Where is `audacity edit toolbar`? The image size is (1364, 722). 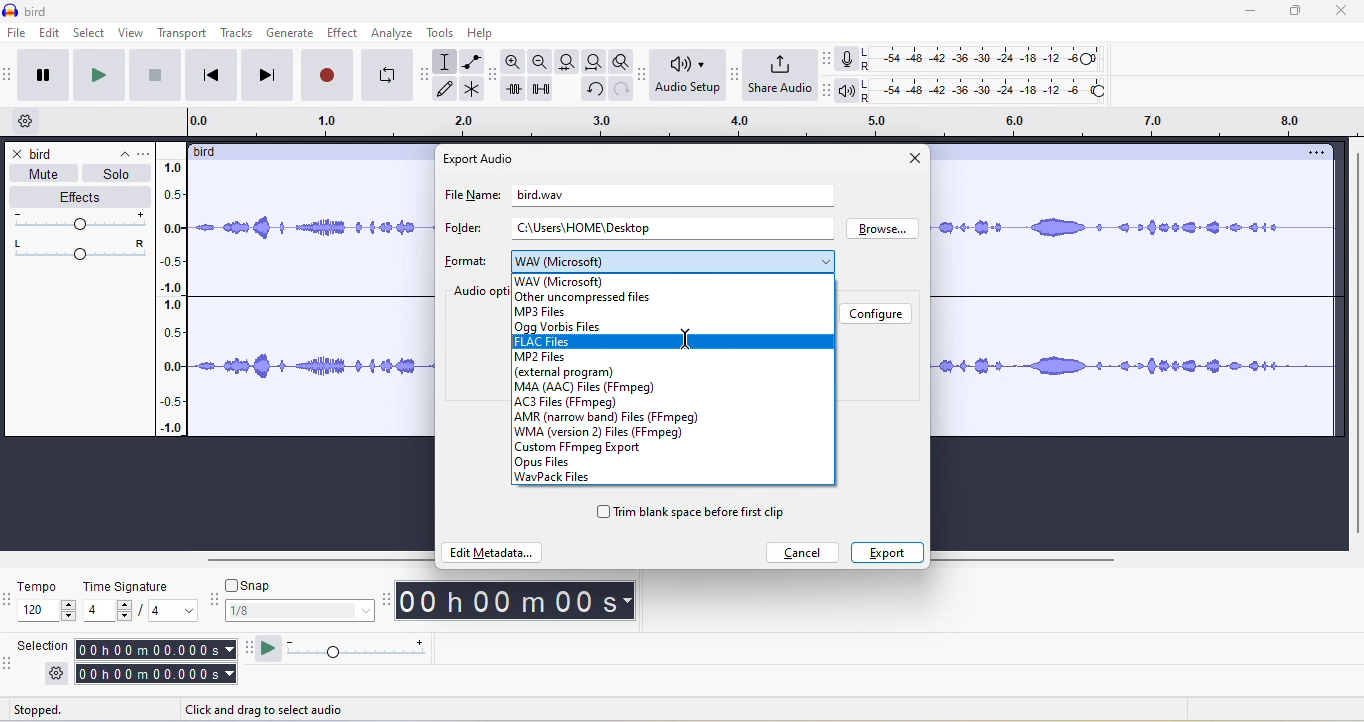
audacity edit toolbar is located at coordinates (495, 78).